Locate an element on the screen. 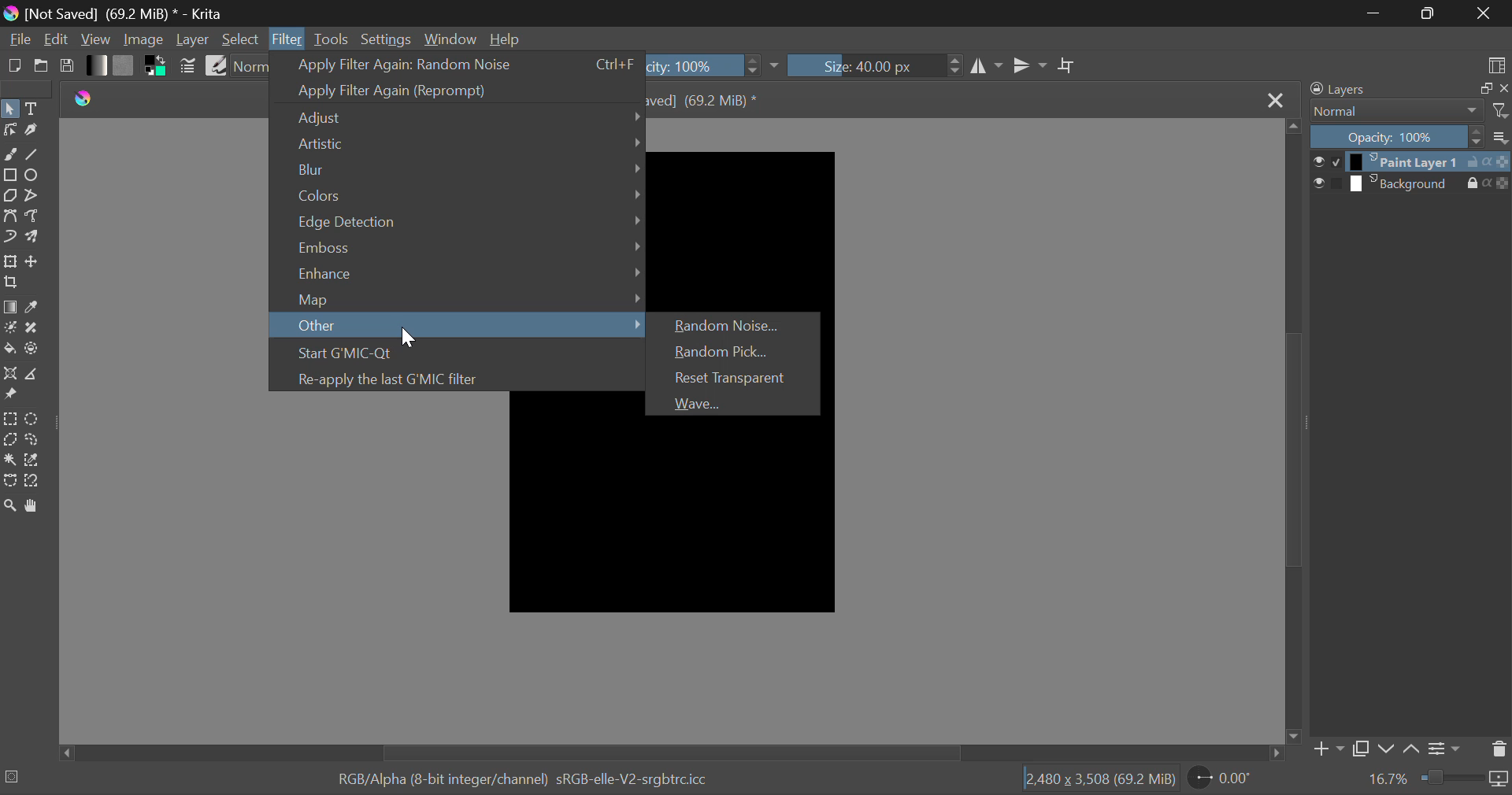  Edit is located at coordinates (57, 40).